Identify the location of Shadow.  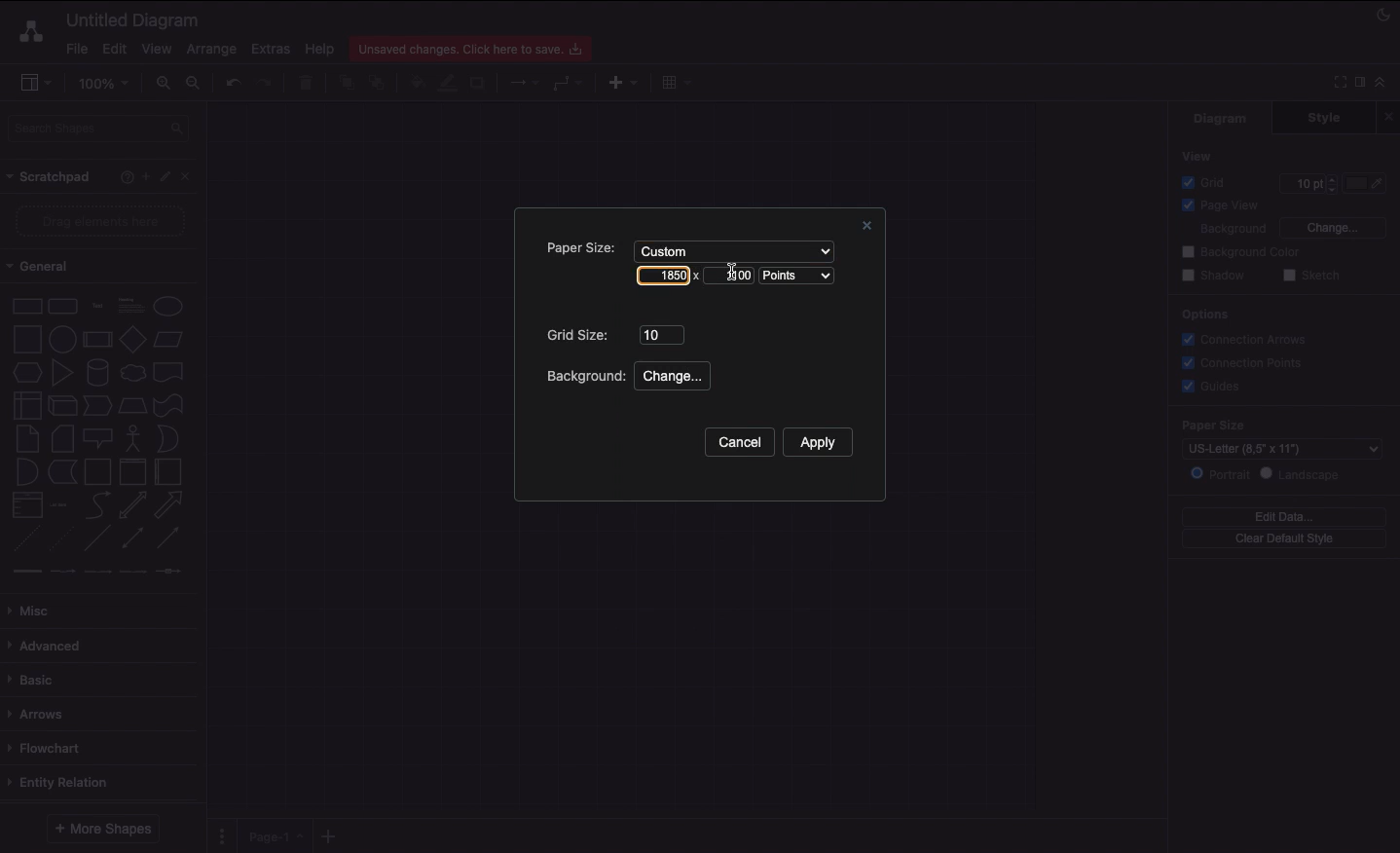
(1213, 275).